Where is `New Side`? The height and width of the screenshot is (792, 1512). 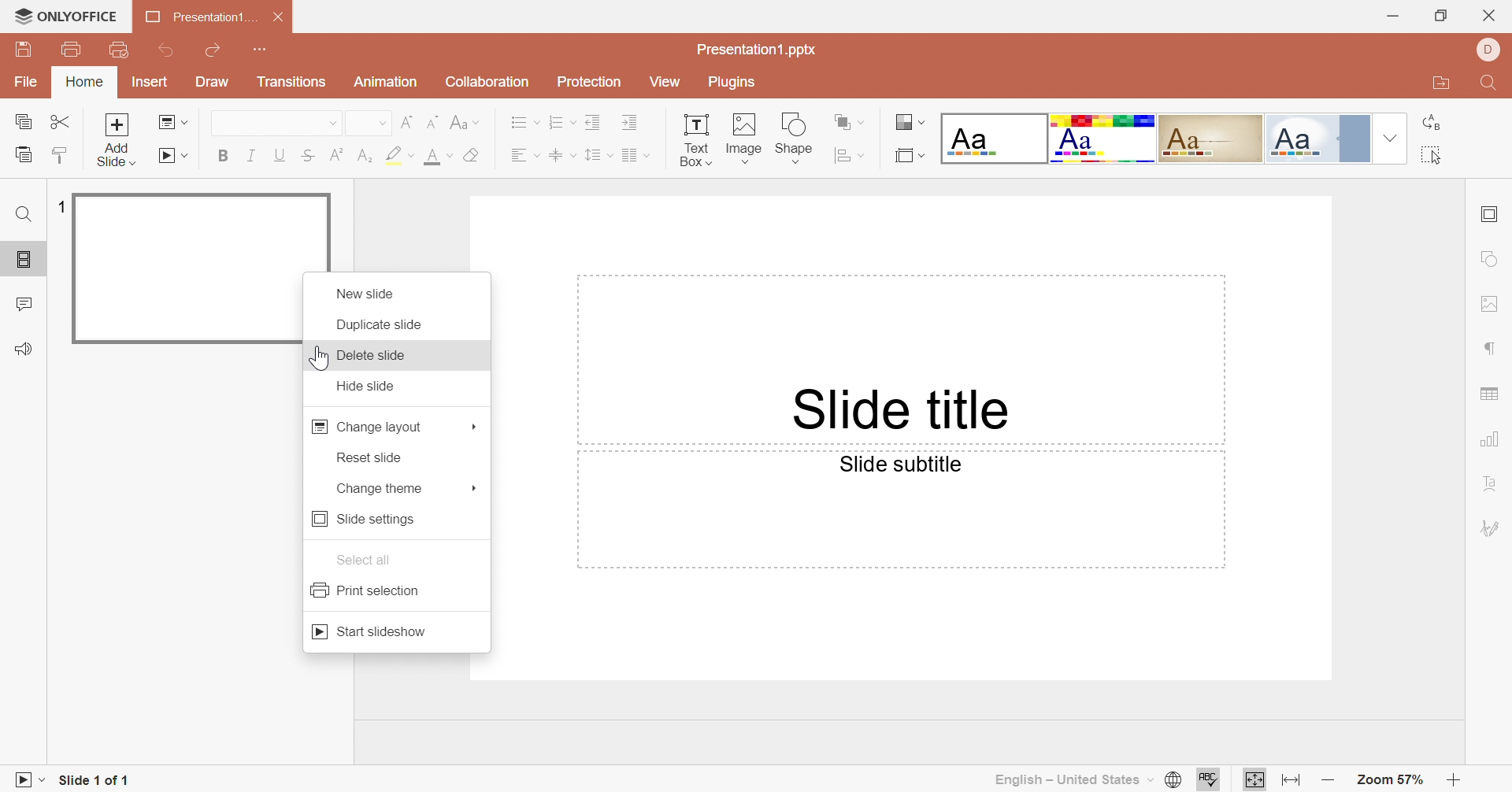 New Side is located at coordinates (365, 293).